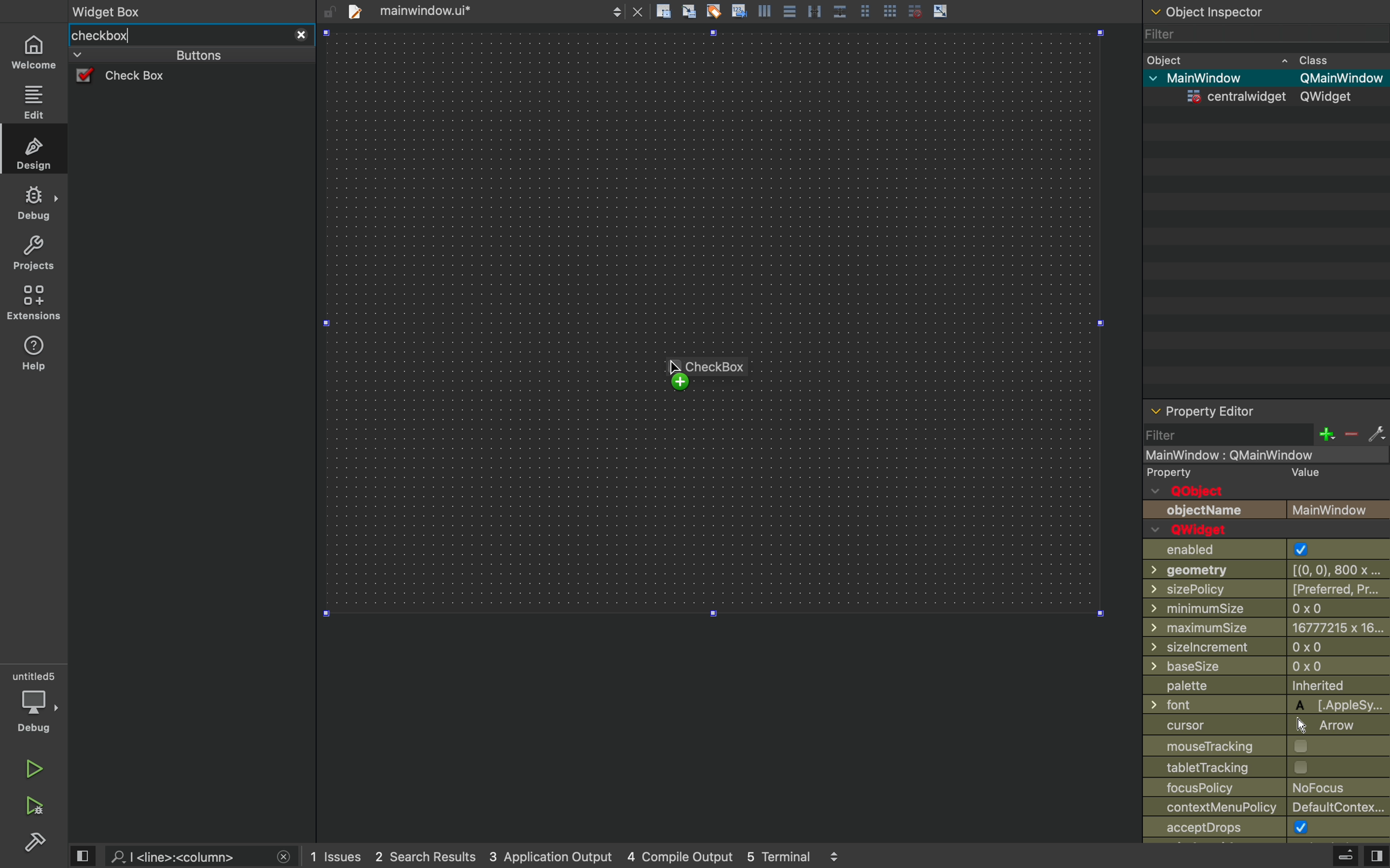  I want to click on check box, so click(142, 77).